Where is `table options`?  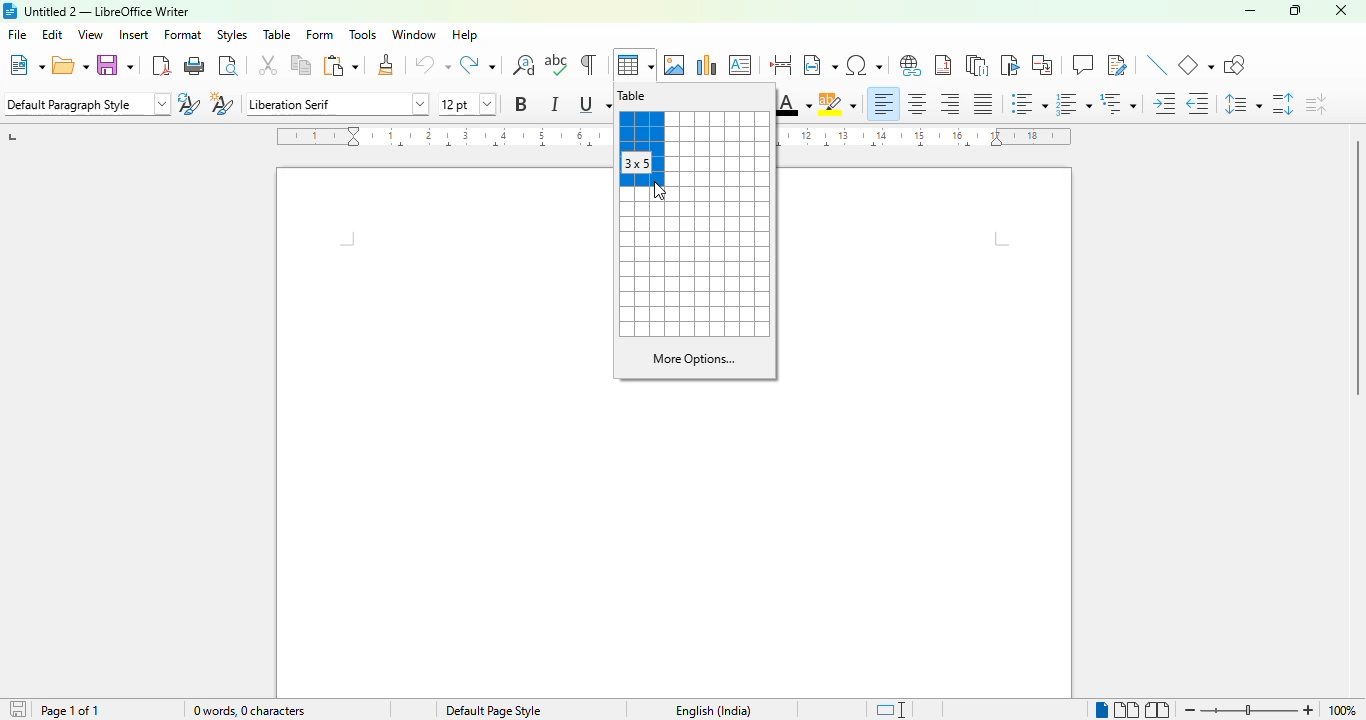 table options is located at coordinates (693, 271).